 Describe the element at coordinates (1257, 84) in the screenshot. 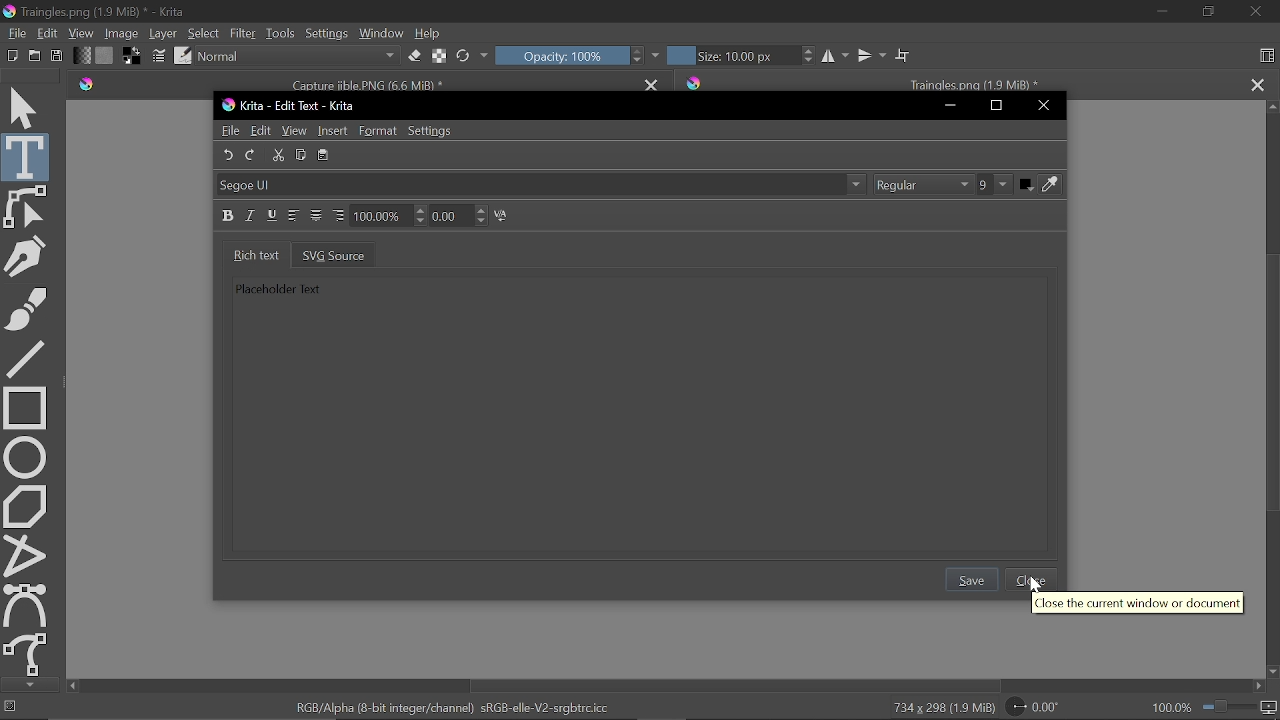

I see `Close other tab` at that location.